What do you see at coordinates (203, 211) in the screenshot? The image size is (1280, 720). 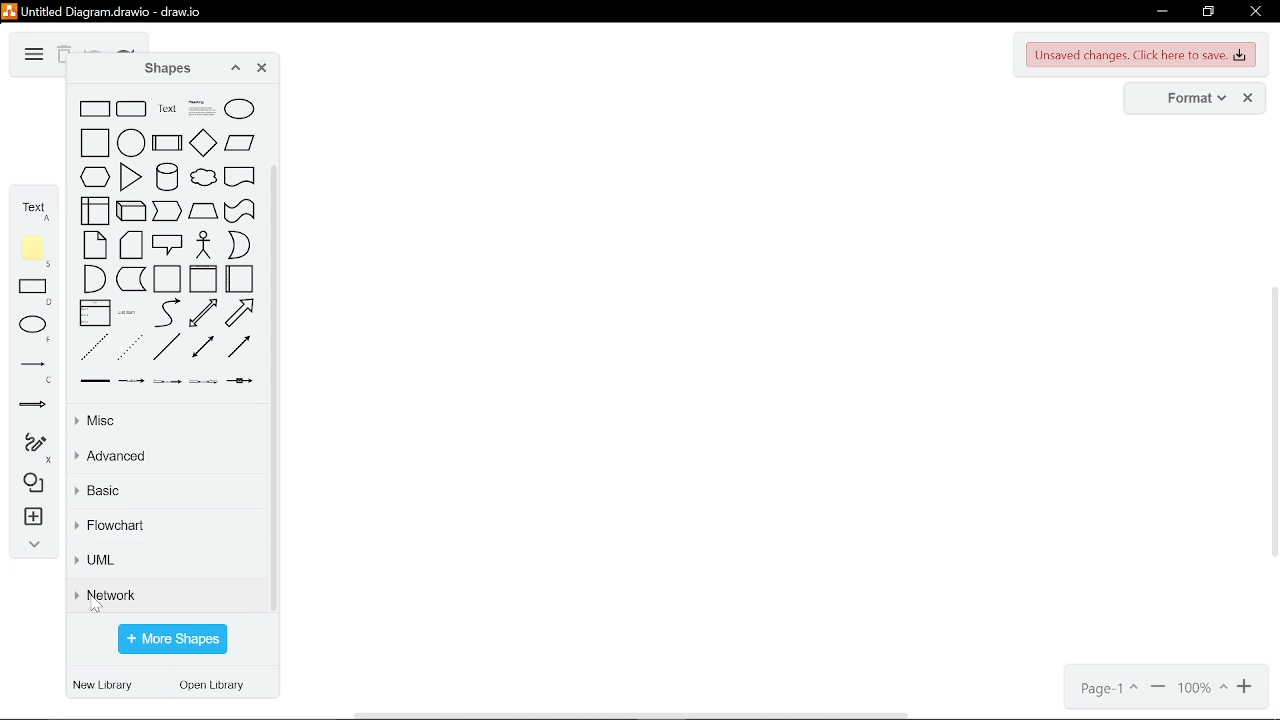 I see `trapezoid` at bounding box center [203, 211].